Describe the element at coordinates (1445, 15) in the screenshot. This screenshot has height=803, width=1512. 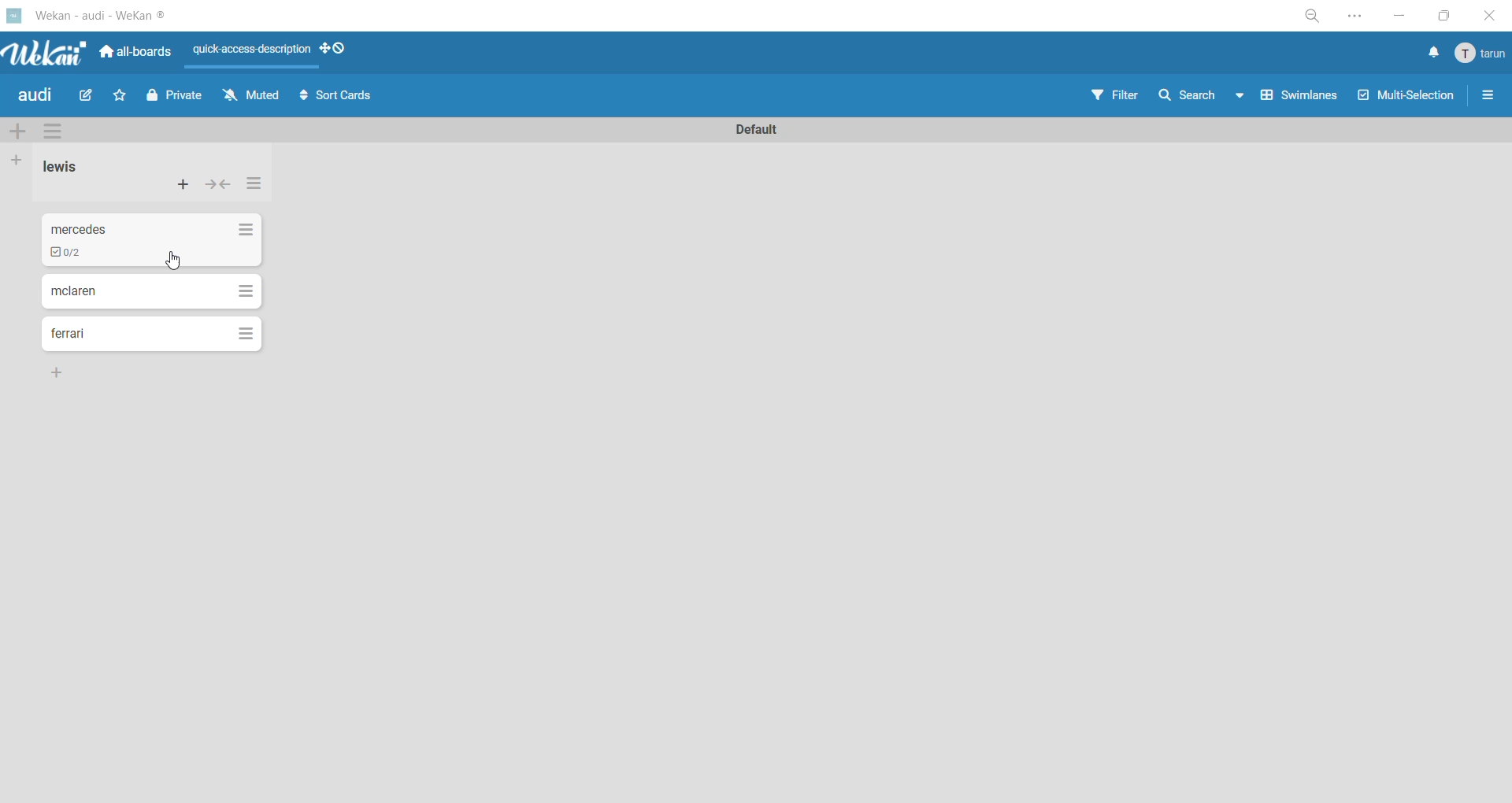
I see `maximize` at that location.